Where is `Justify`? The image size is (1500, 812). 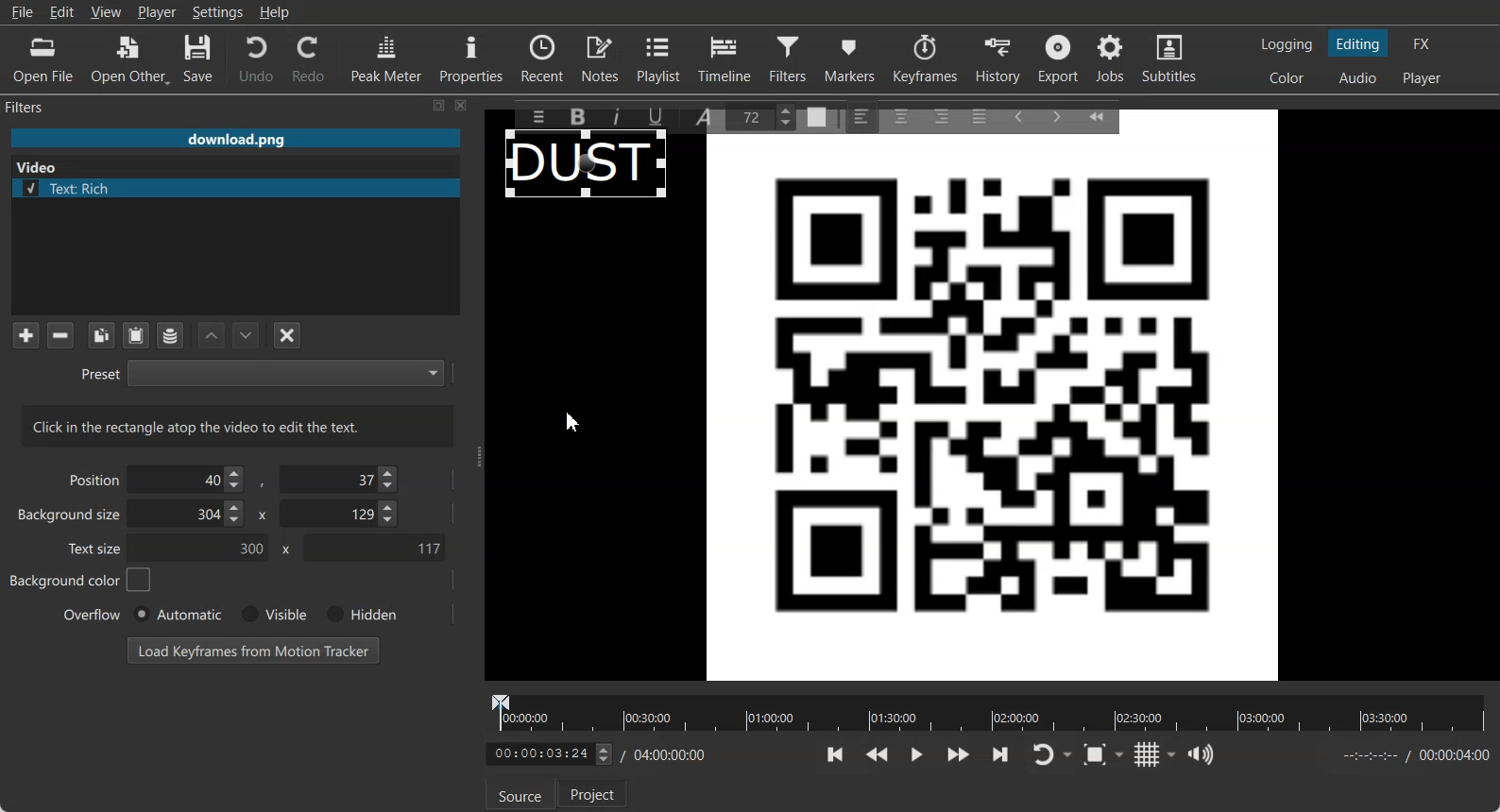 Justify is located at coordinates (980, 113).